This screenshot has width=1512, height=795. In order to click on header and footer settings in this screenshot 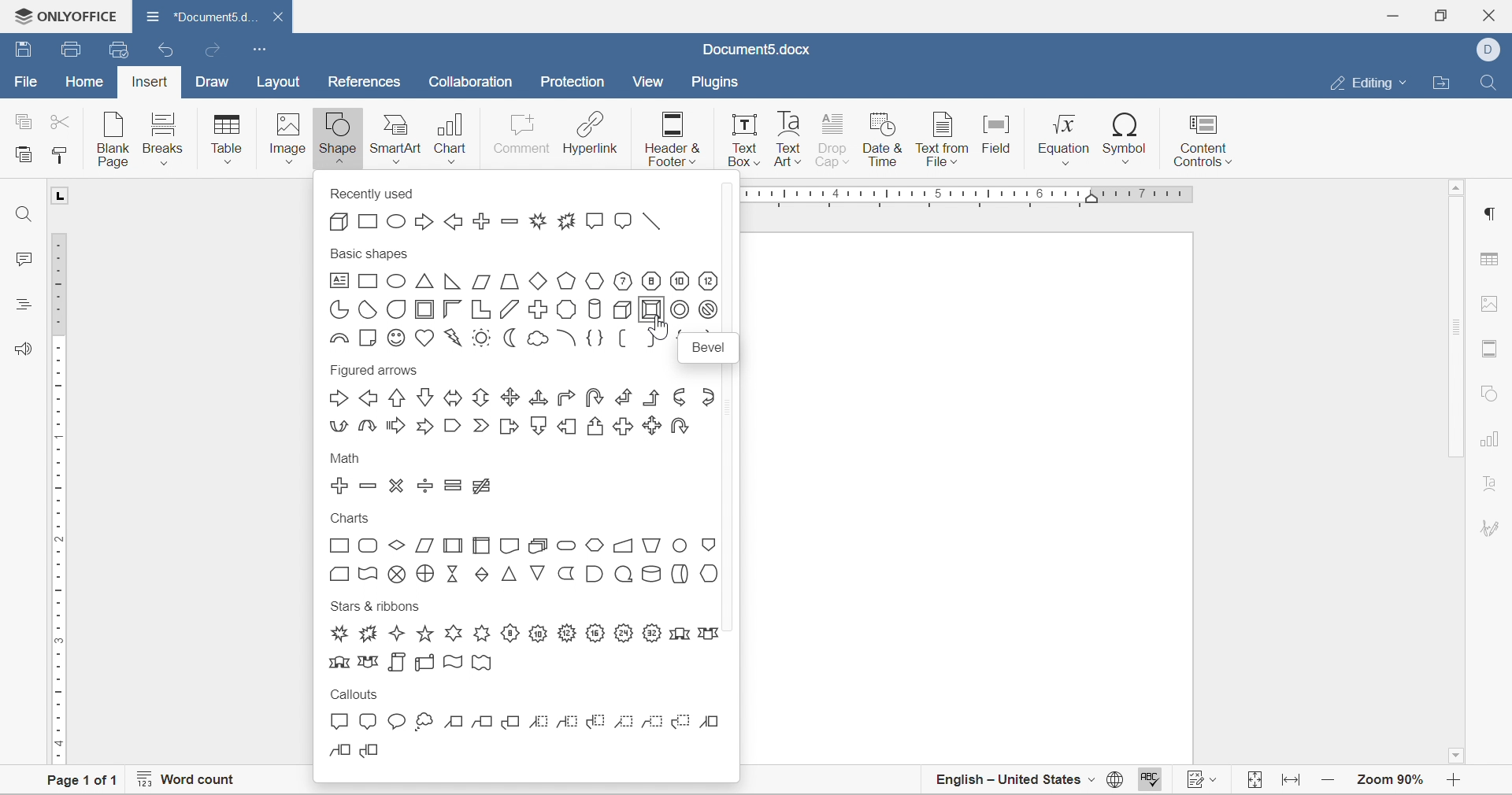, I will do `click(1491, 352)`.